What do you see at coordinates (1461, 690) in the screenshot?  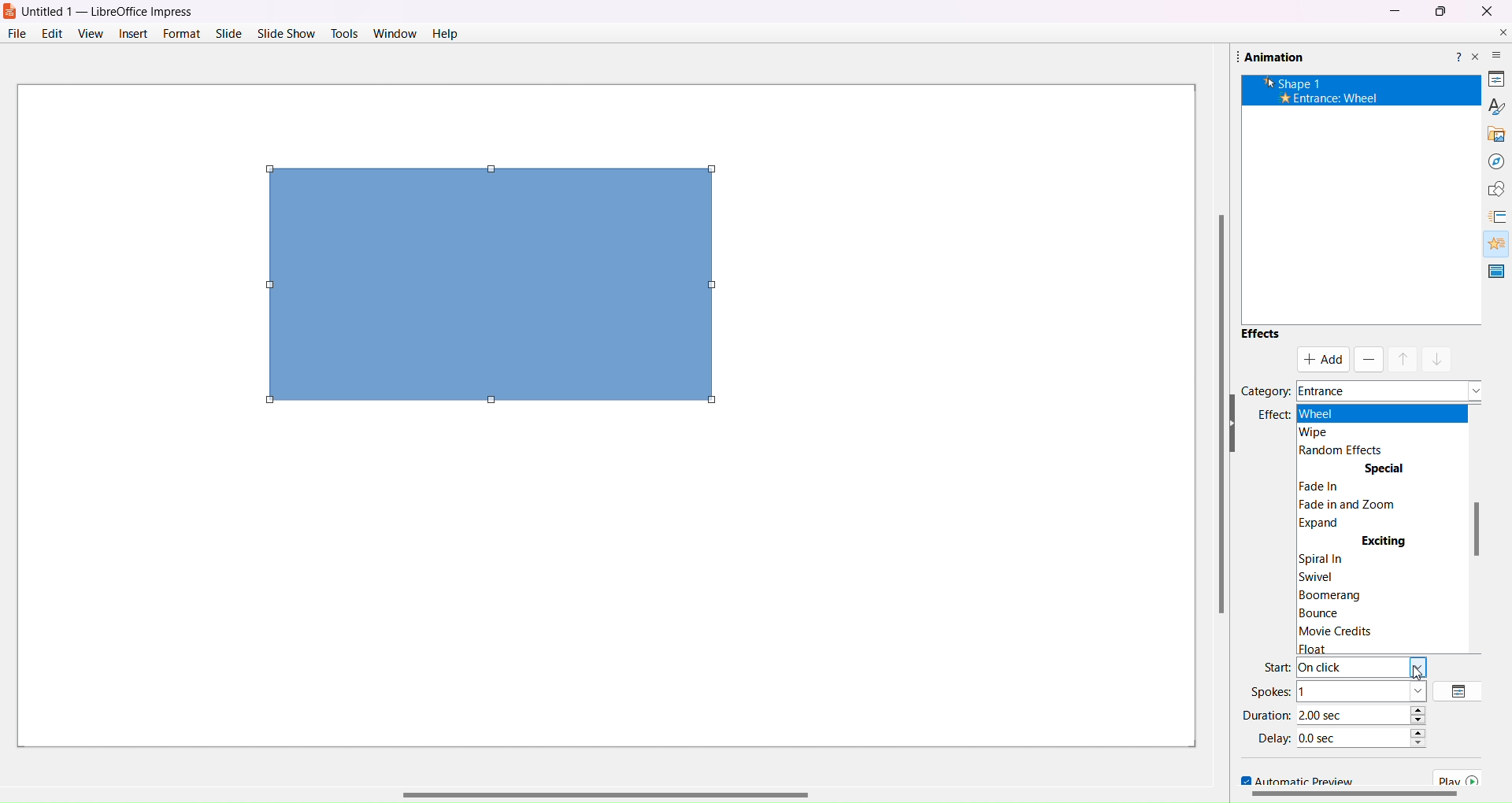 I see `Option` at bounding box center [1461, 690].